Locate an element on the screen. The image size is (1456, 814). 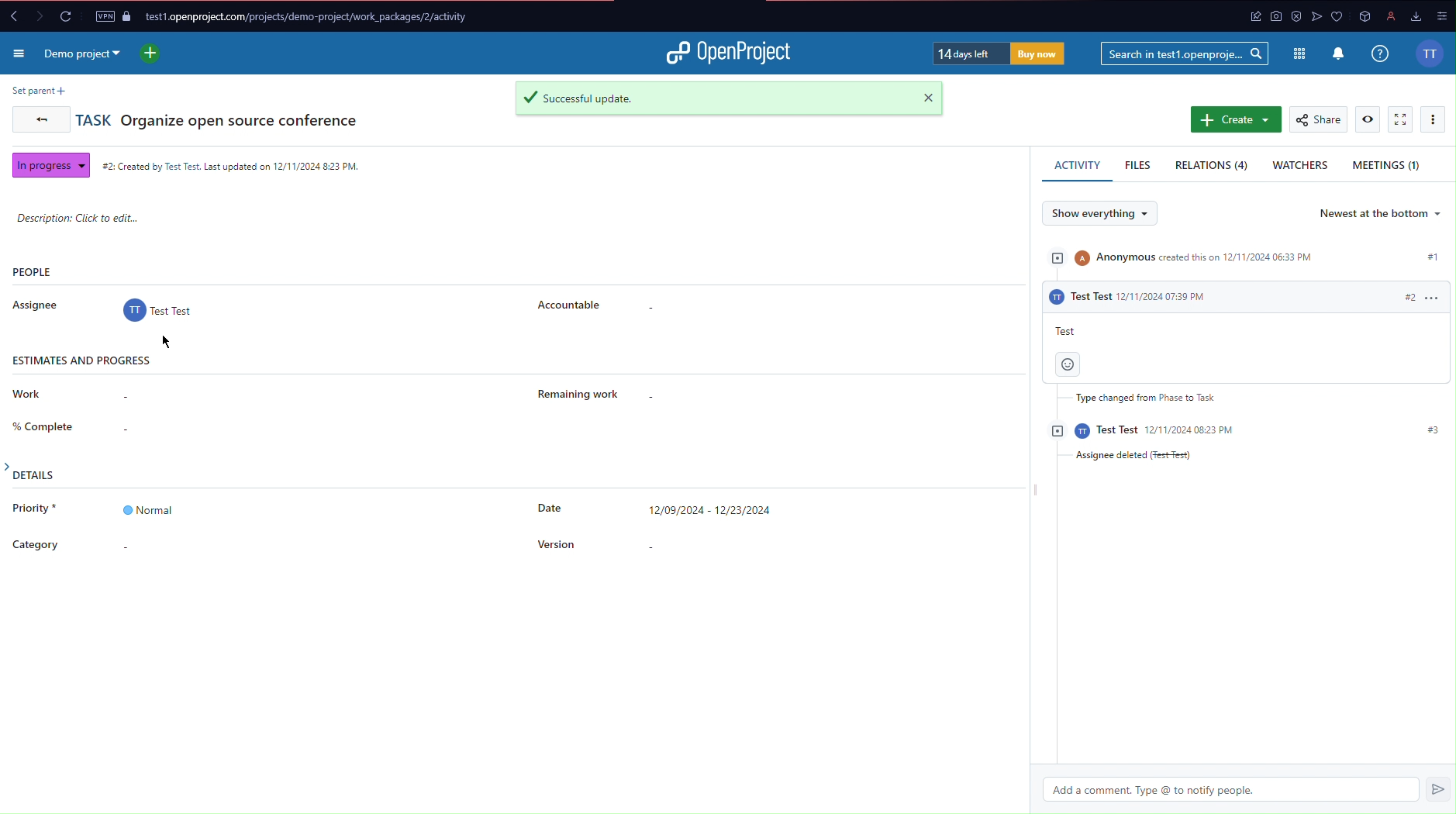
Type changed from Phase to Task is located at coordinates (1151, 397).